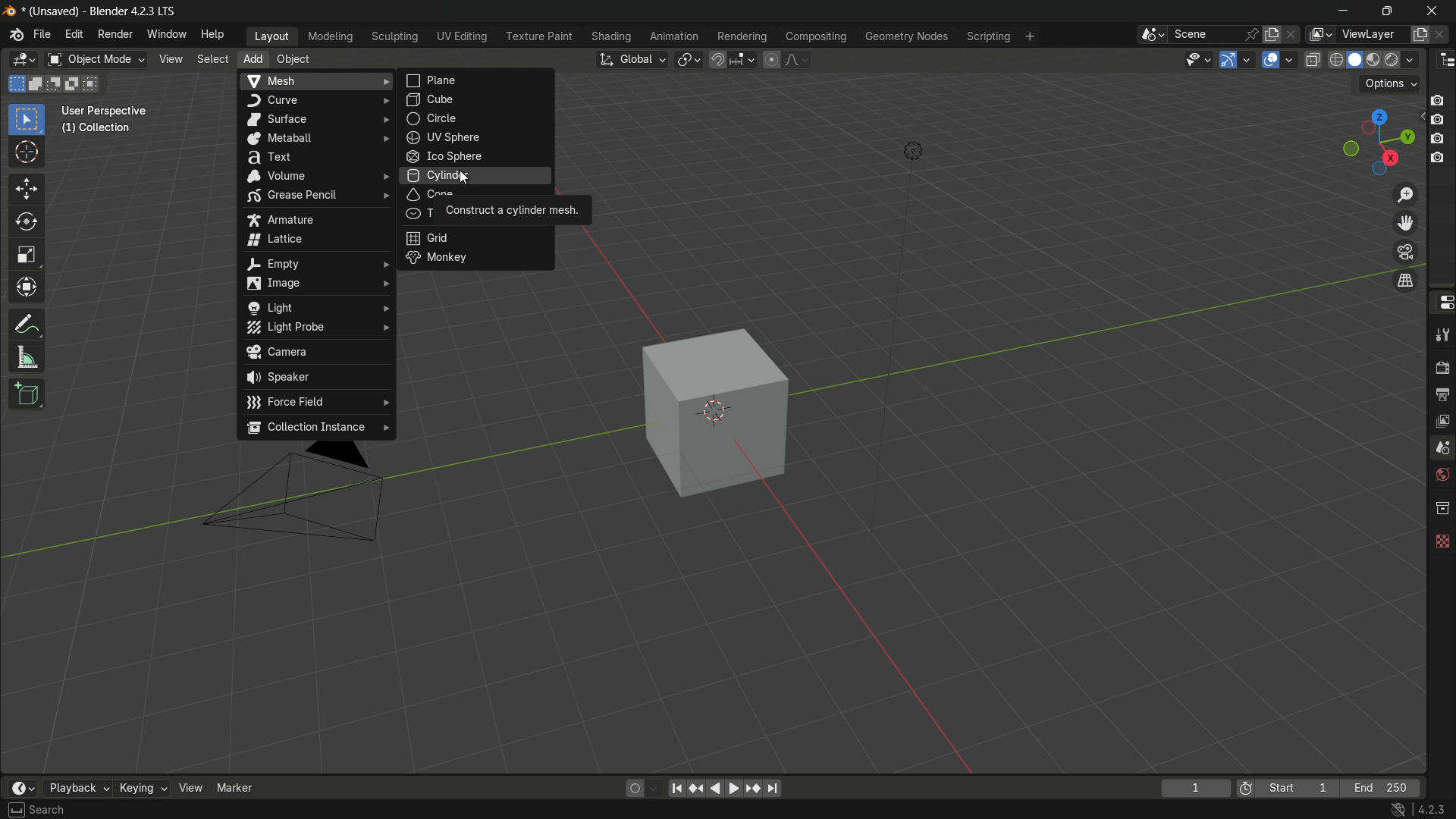 This screenshot has width=1456, height=819. I want to click on end, so click(1386, 787).